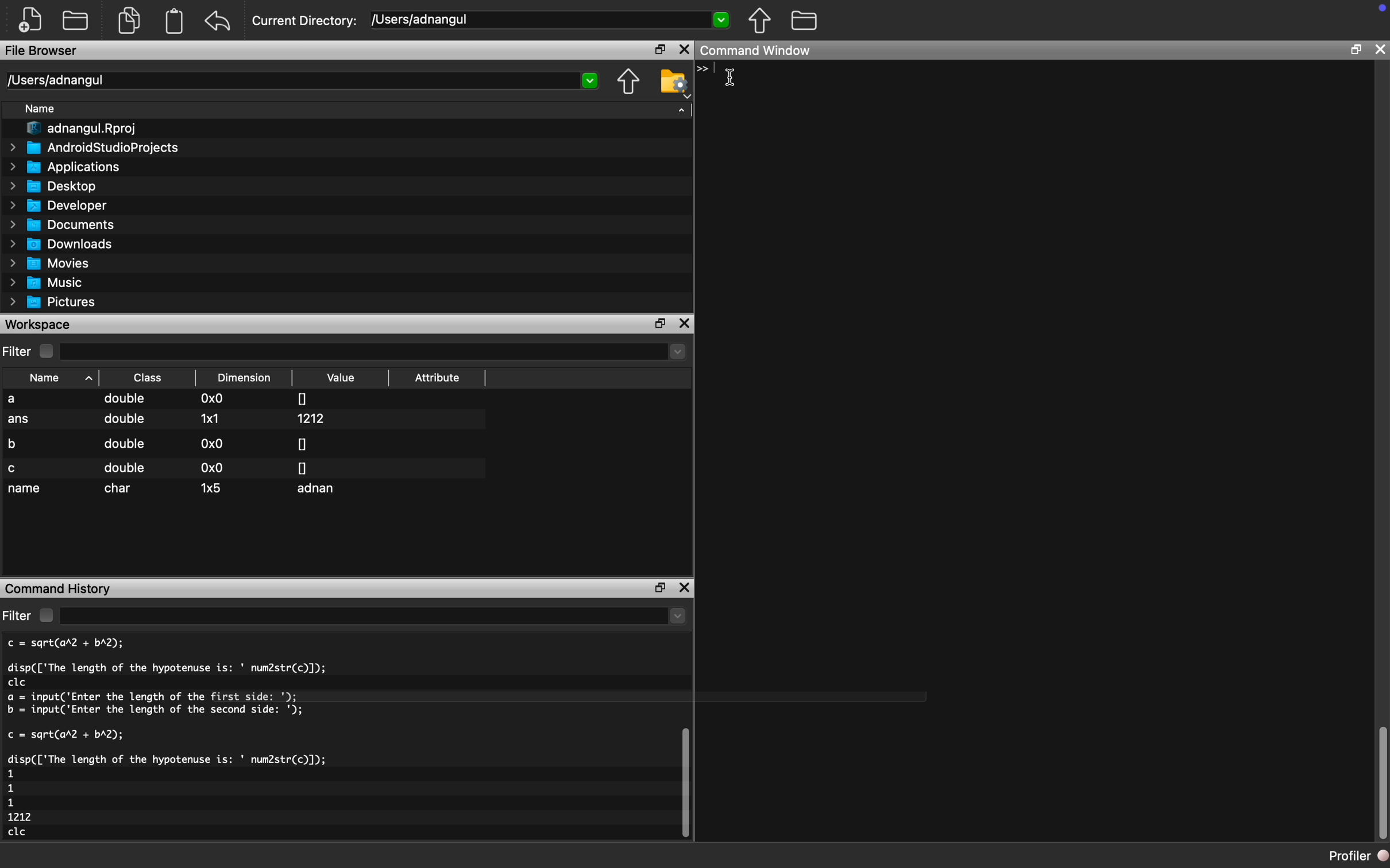 This screenshot has height=868, width=1390. What do you see at coordinates (67, 243) in the screenshot?
I see ` Downloads` at bounding box center [67, 243].